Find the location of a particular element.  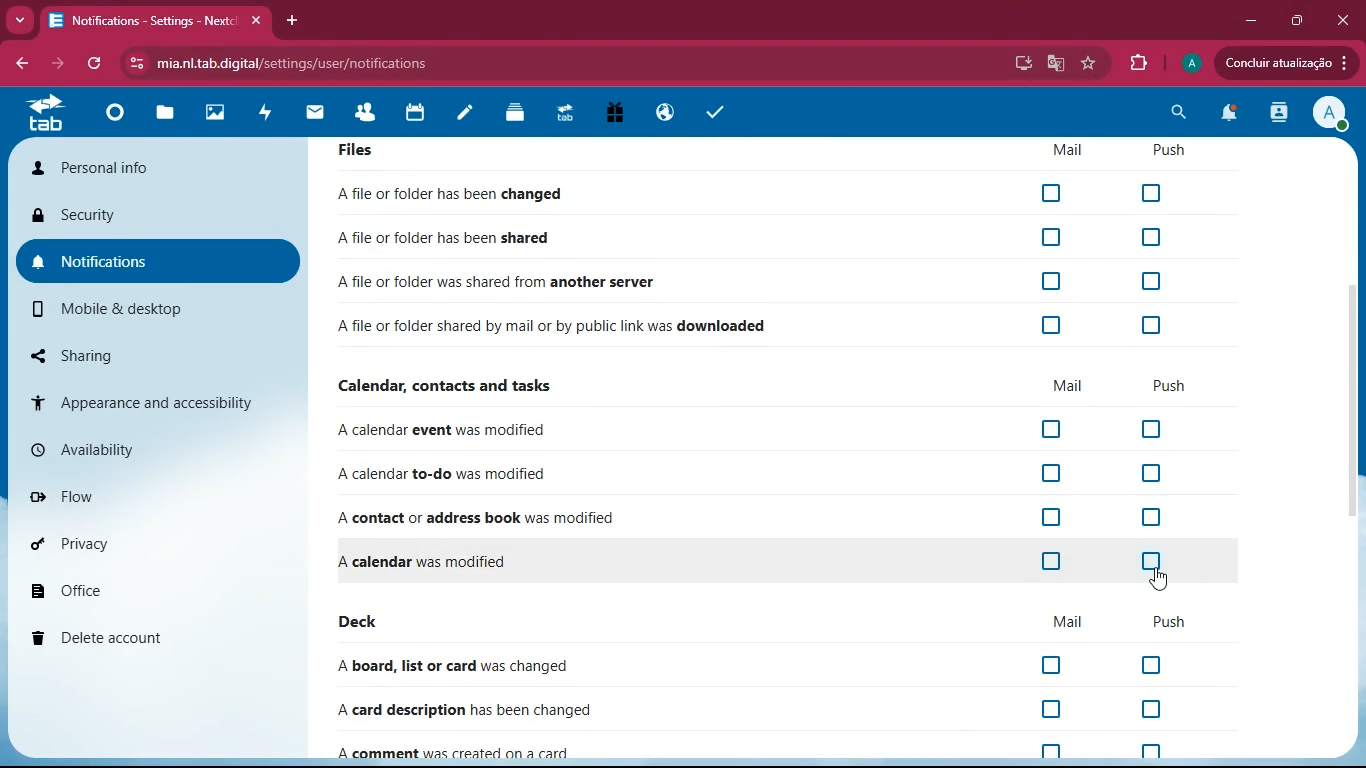

url is located at coordinates (336, 63).